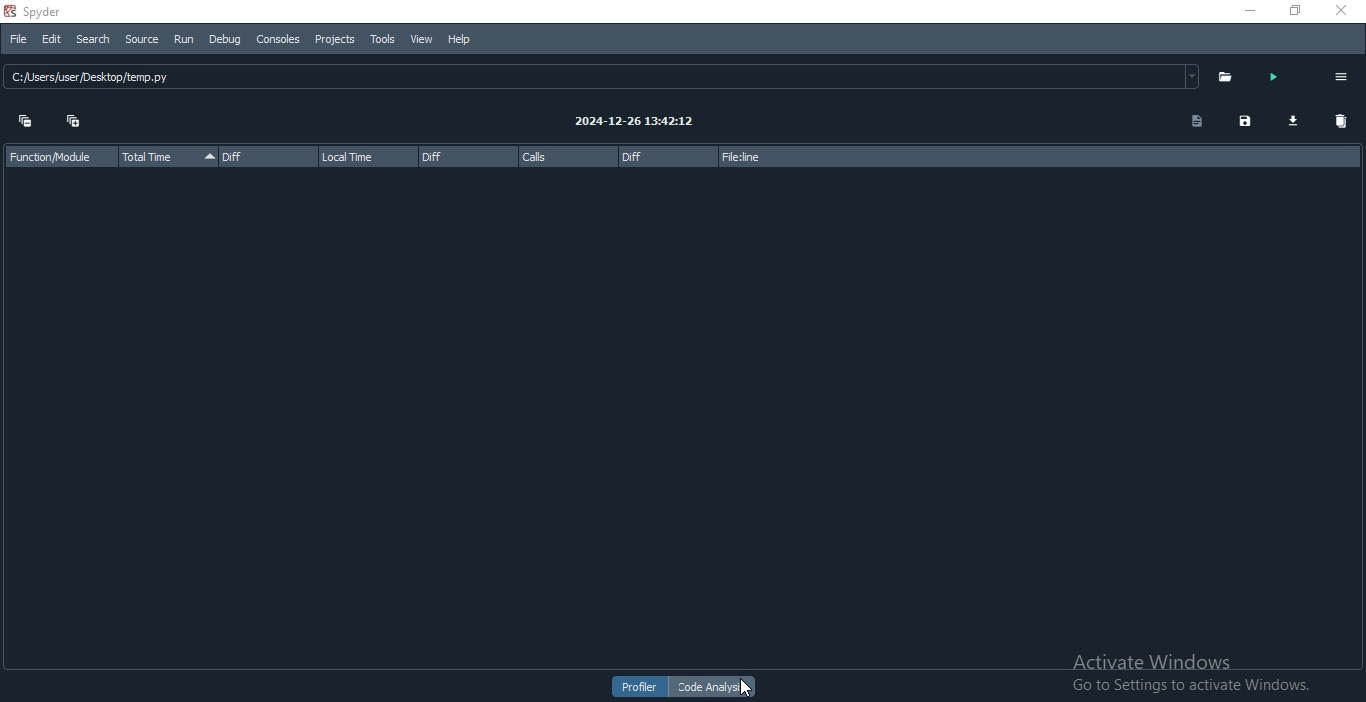 This screenshot has width=1366, height=702. What do you see at coordinates (226, 41) in the screenshot?
I see `Debug` at bounding box center [226, 41].